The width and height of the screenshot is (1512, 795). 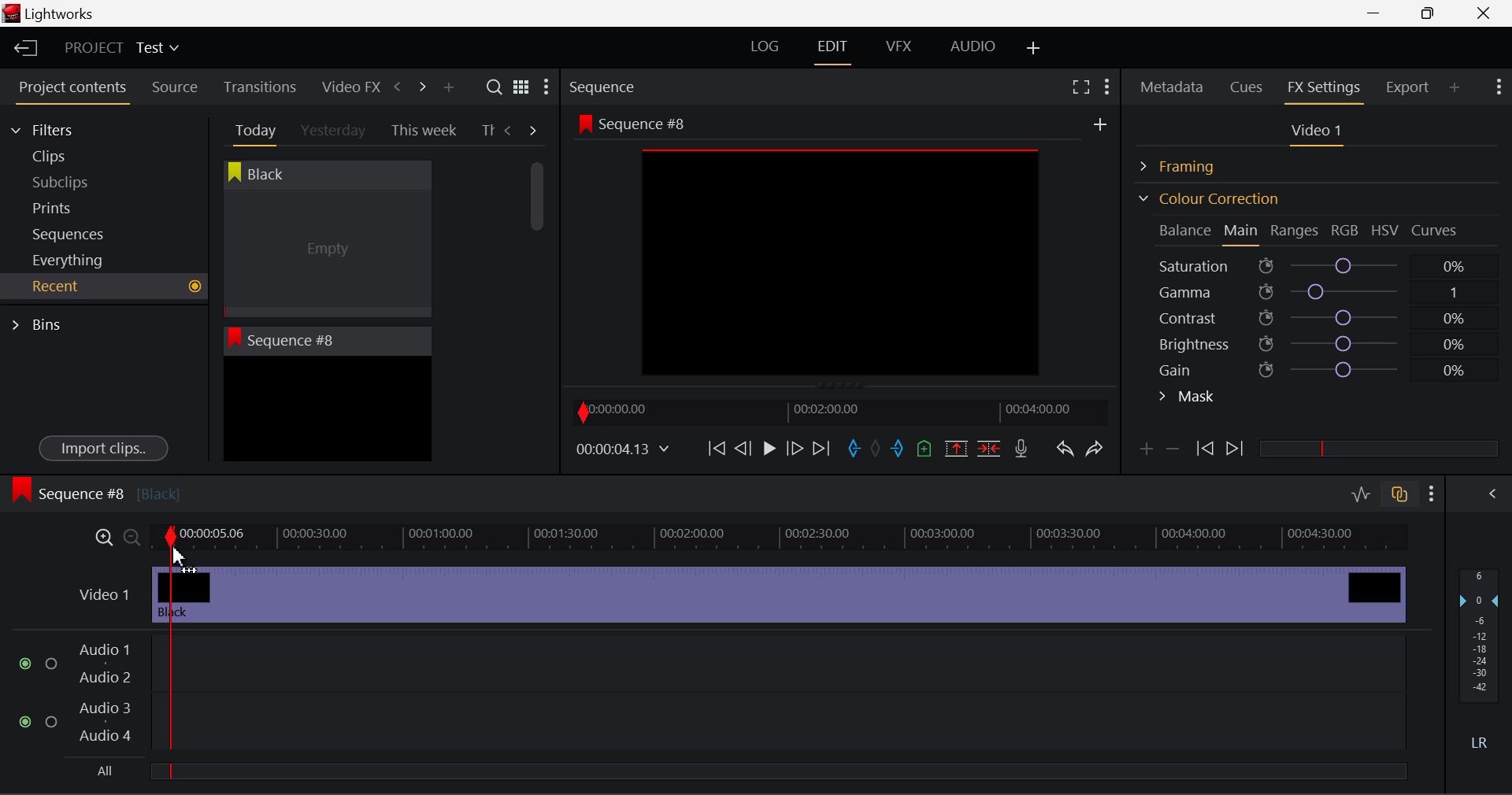 What do you see at coordinates (1325, 89) in the screenshot?
I see `FX Settings Panel Open` at bounding box center [1325, 89].